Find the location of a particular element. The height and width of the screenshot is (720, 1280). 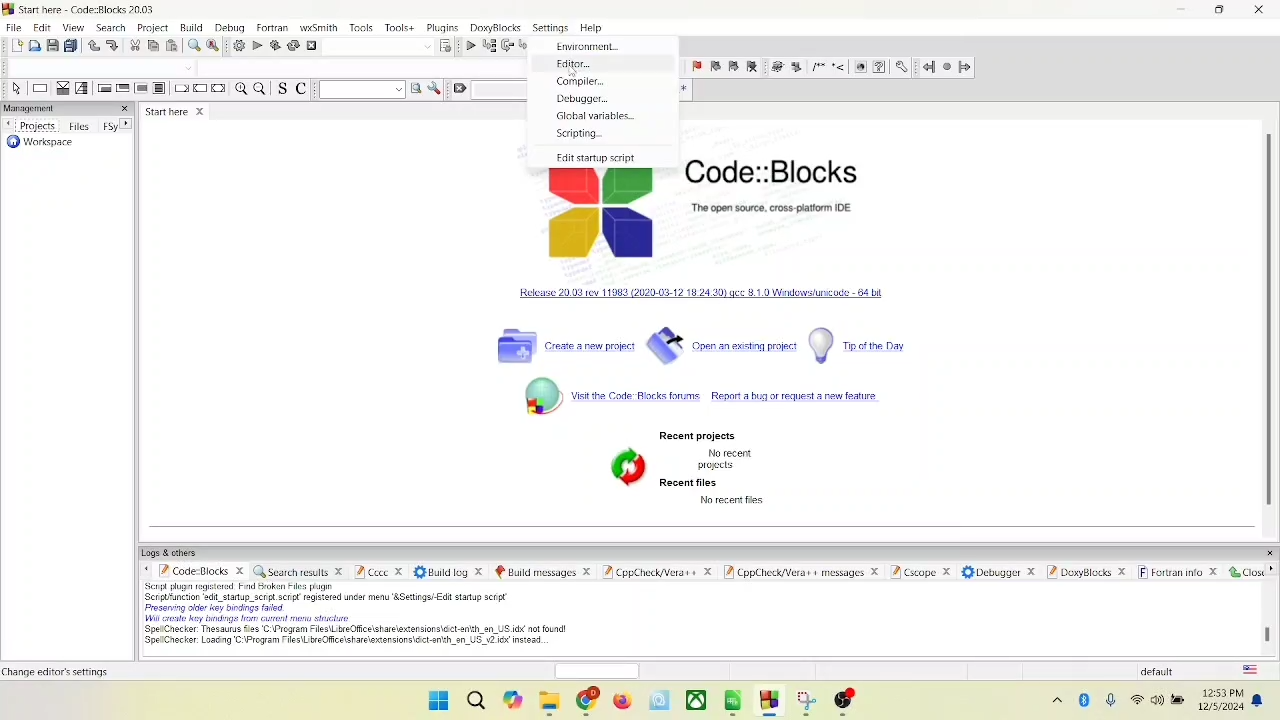

jump back is located at coordinates (926, 67).